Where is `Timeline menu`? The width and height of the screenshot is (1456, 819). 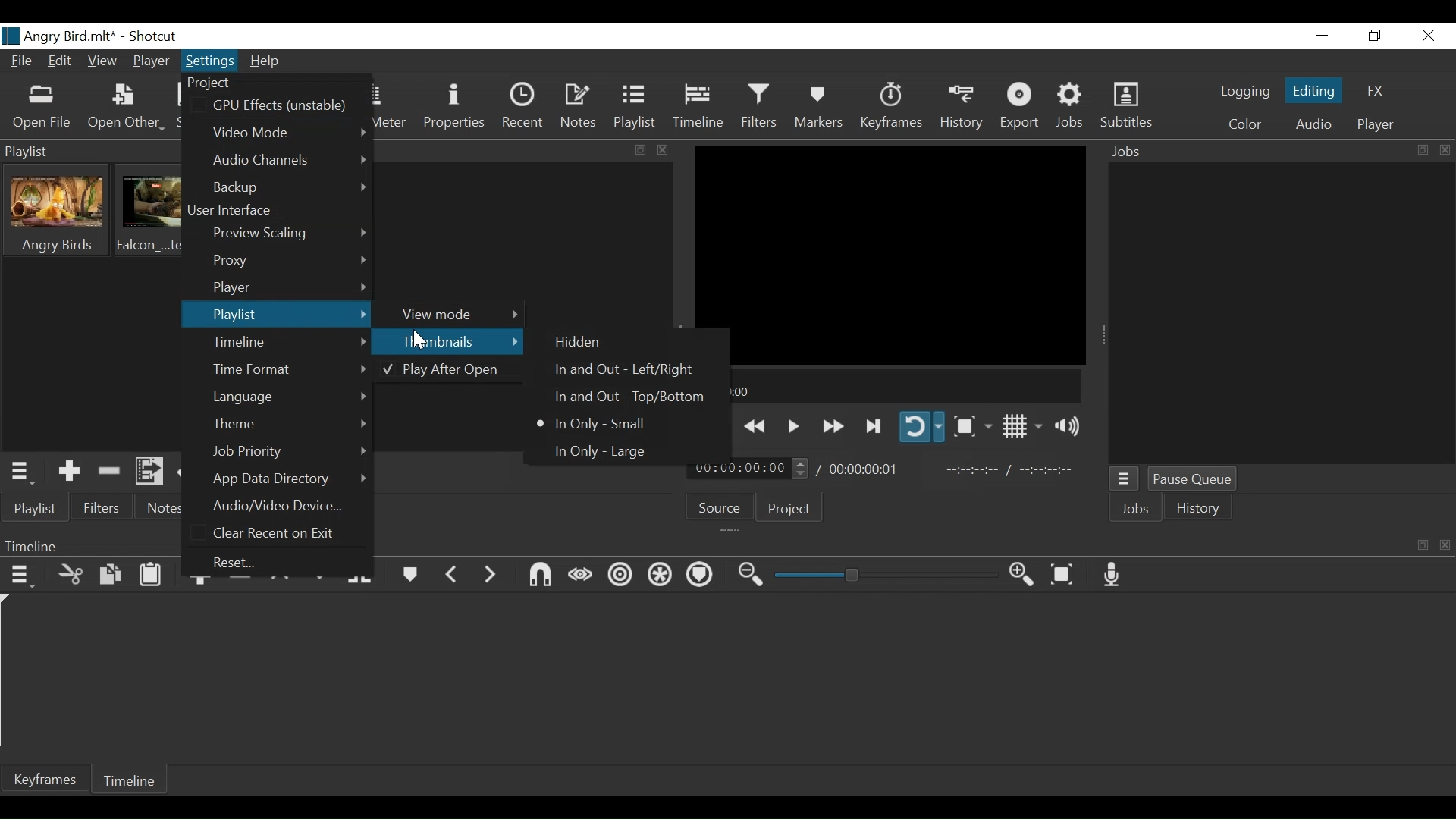
Timeline menu is located at coordinates (24, 578).